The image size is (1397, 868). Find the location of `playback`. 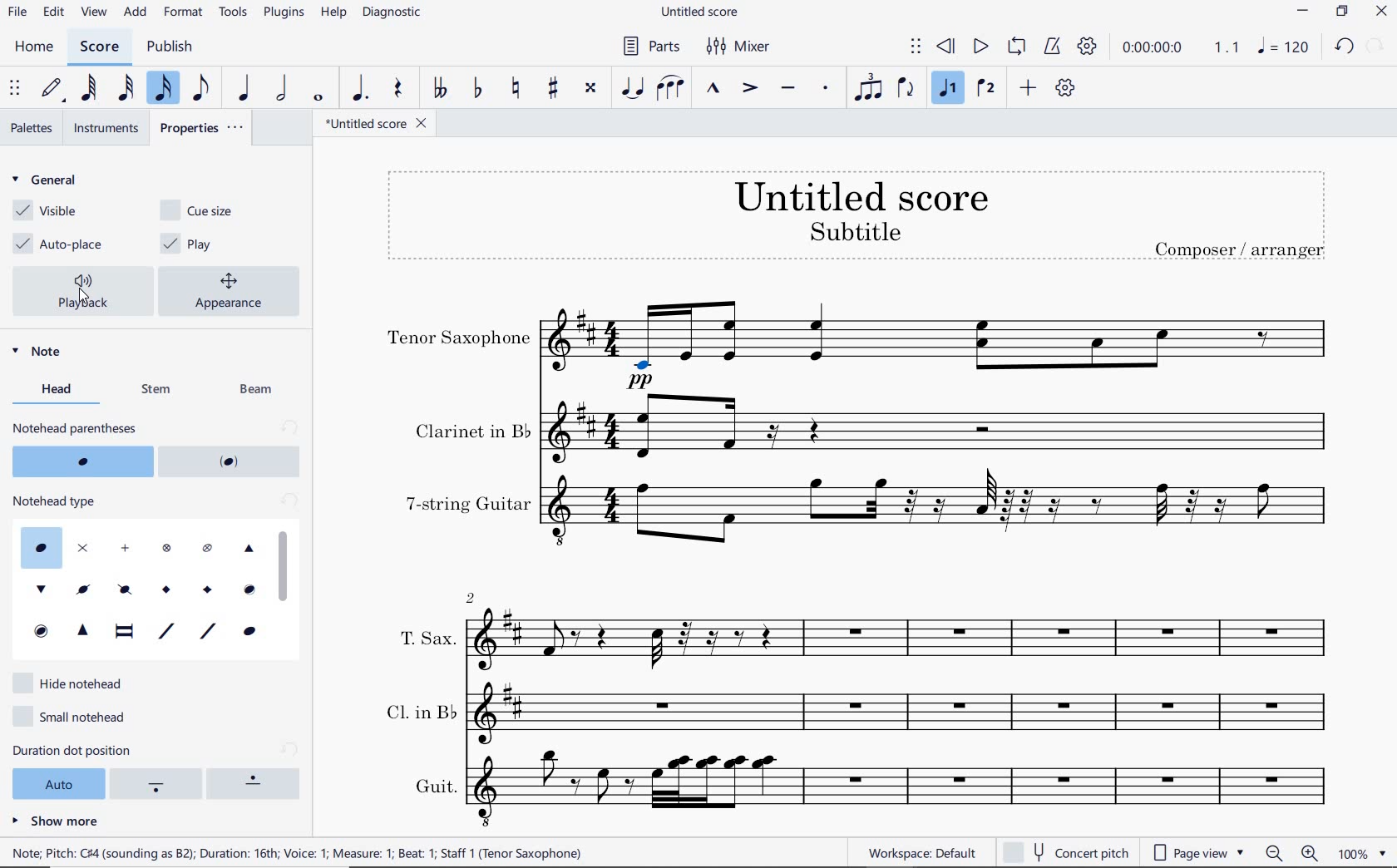

playback is located at coordinates (87, 292).